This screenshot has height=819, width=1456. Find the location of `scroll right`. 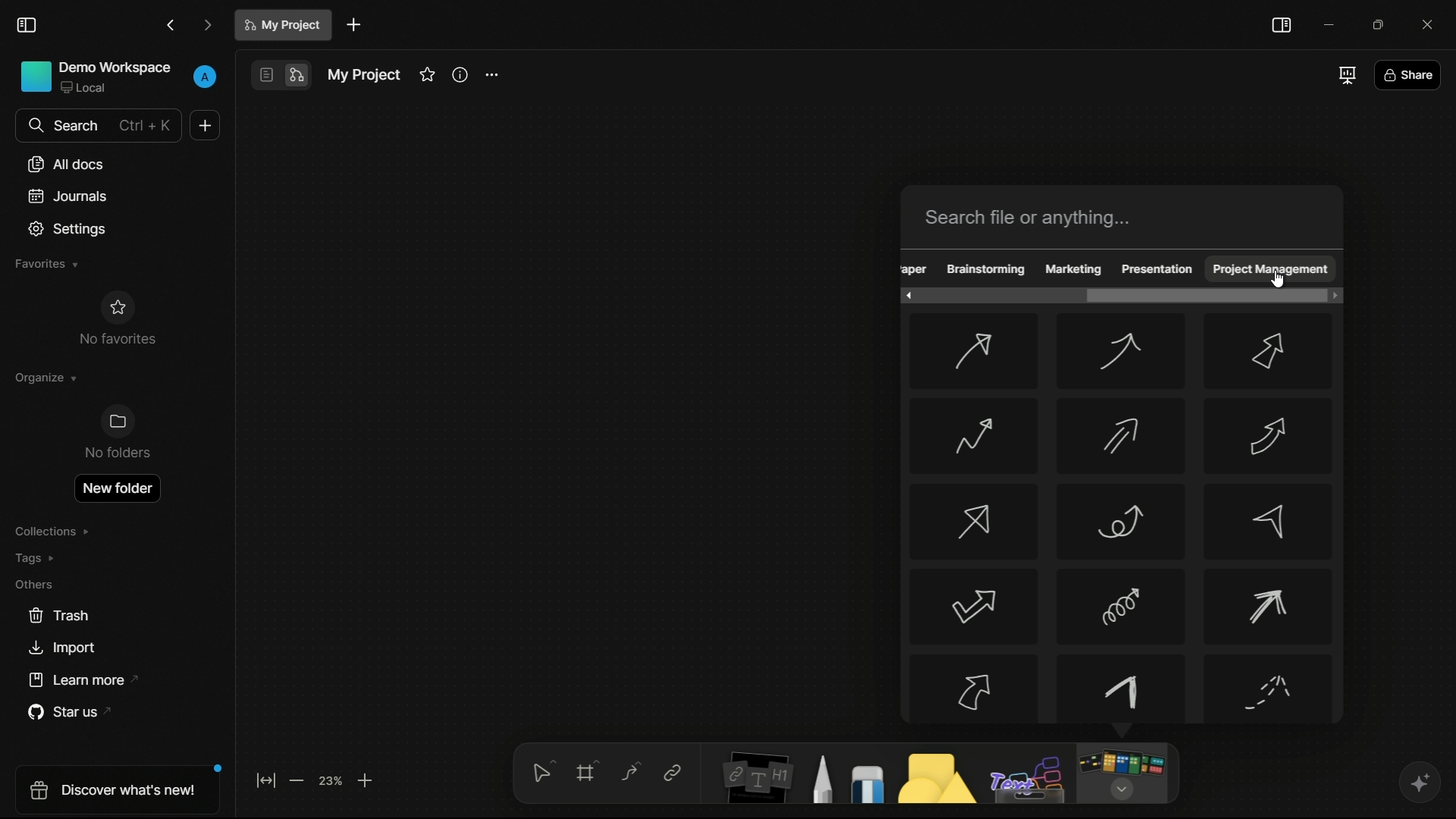

scroll right is located at coordinates (1332, 295).